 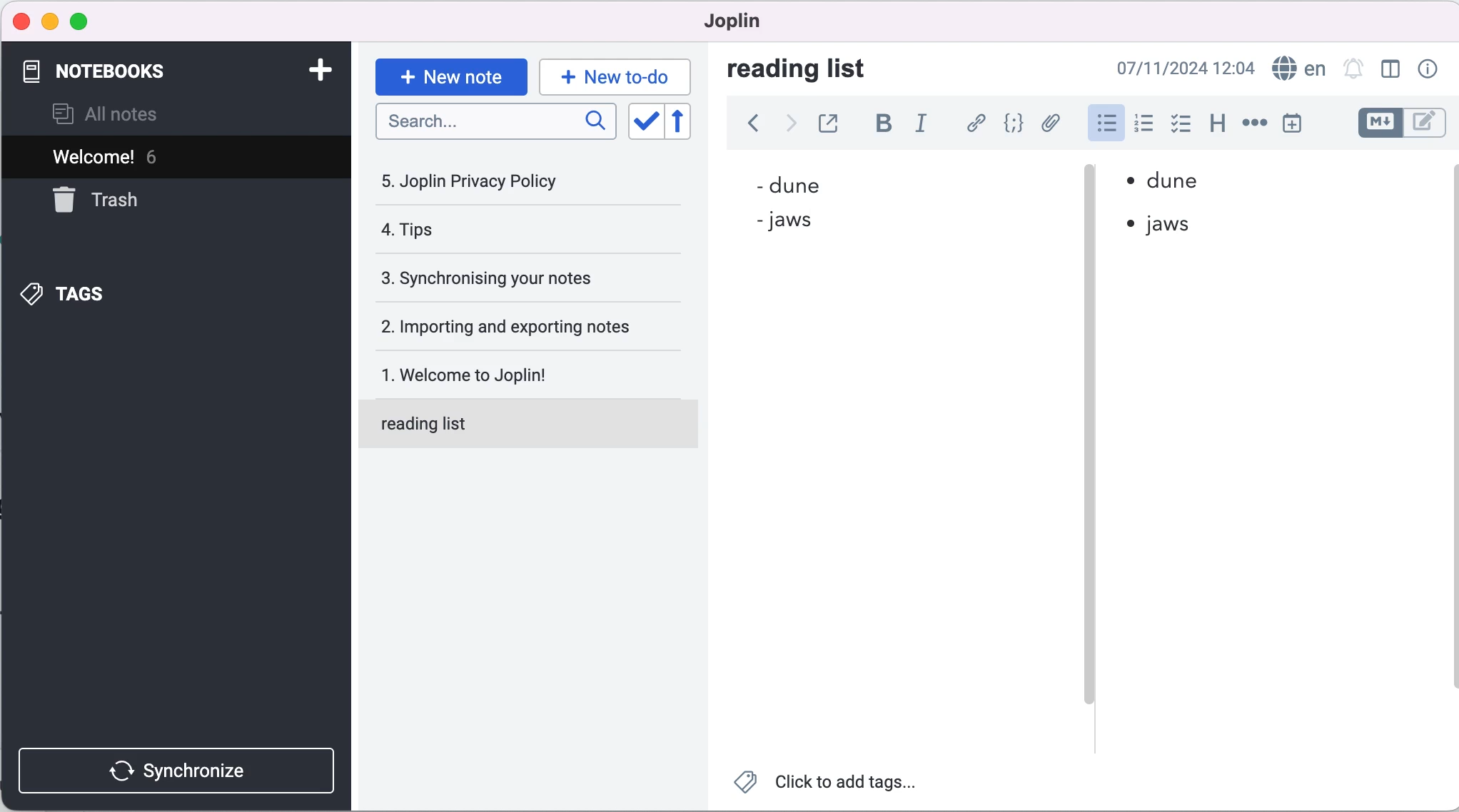 I want to click on welcome! 6, so click(x=158, y=158).